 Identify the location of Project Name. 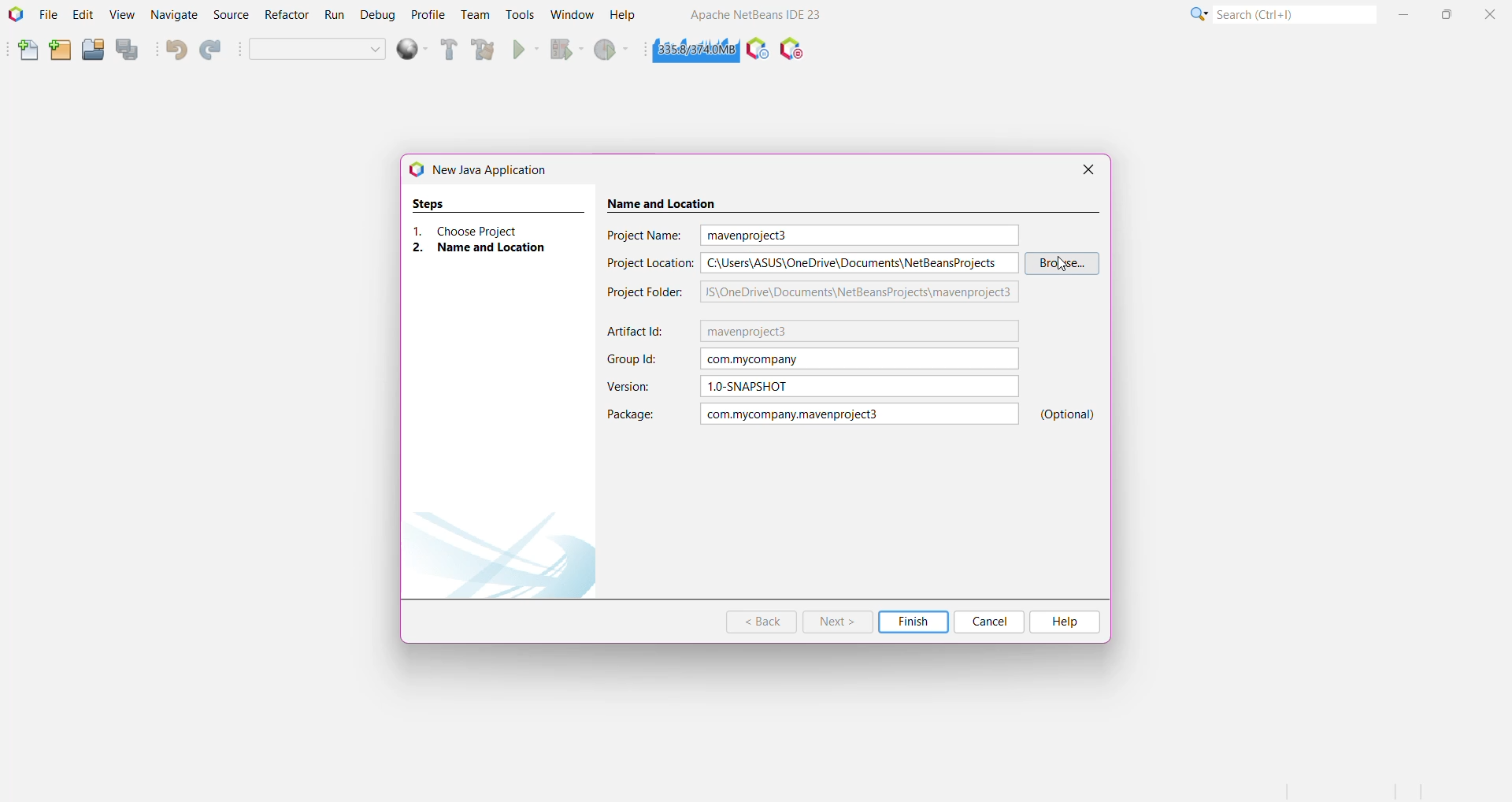
(647, 235).